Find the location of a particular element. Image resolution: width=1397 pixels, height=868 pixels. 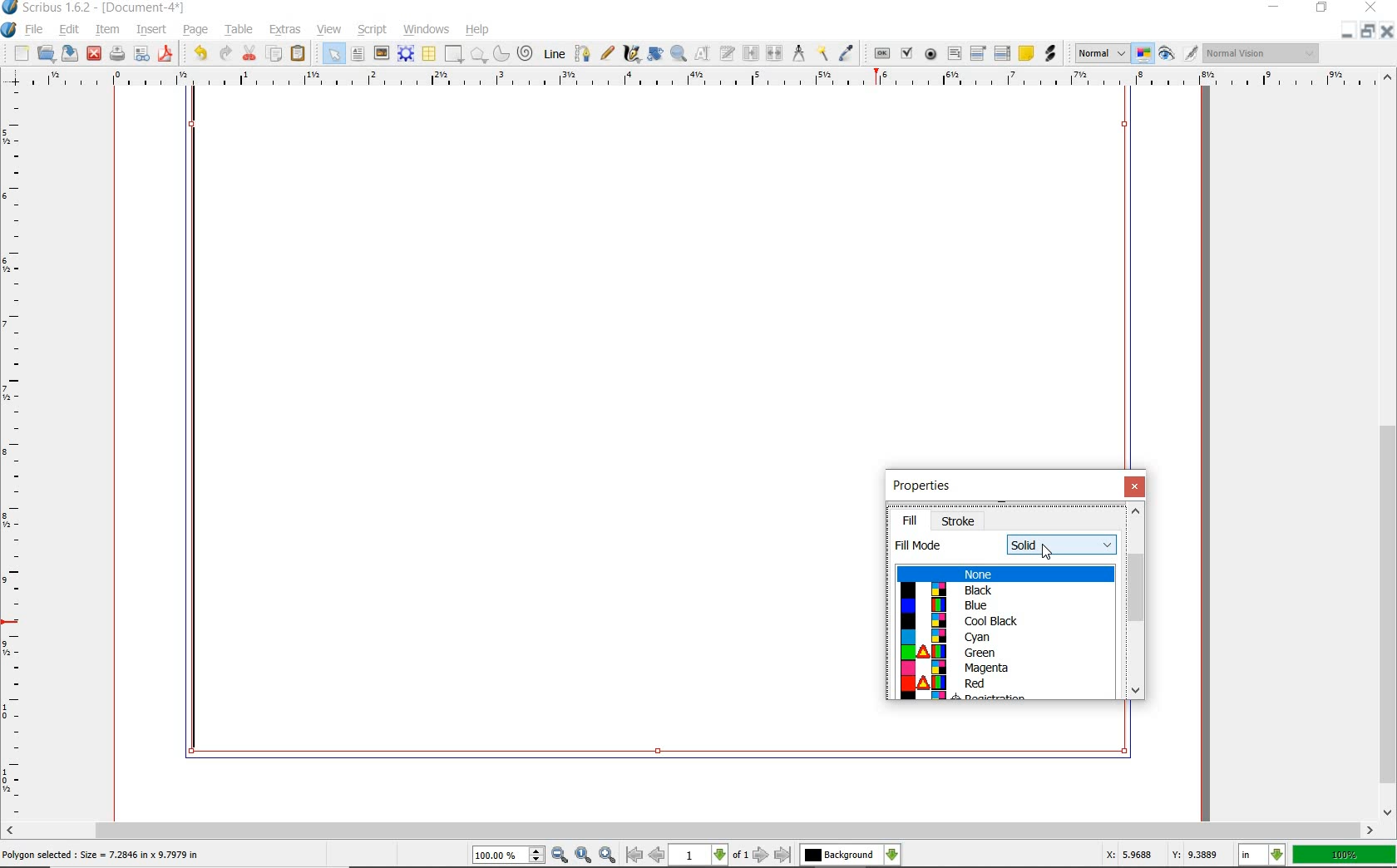

close is located at coordinates (94, 54).